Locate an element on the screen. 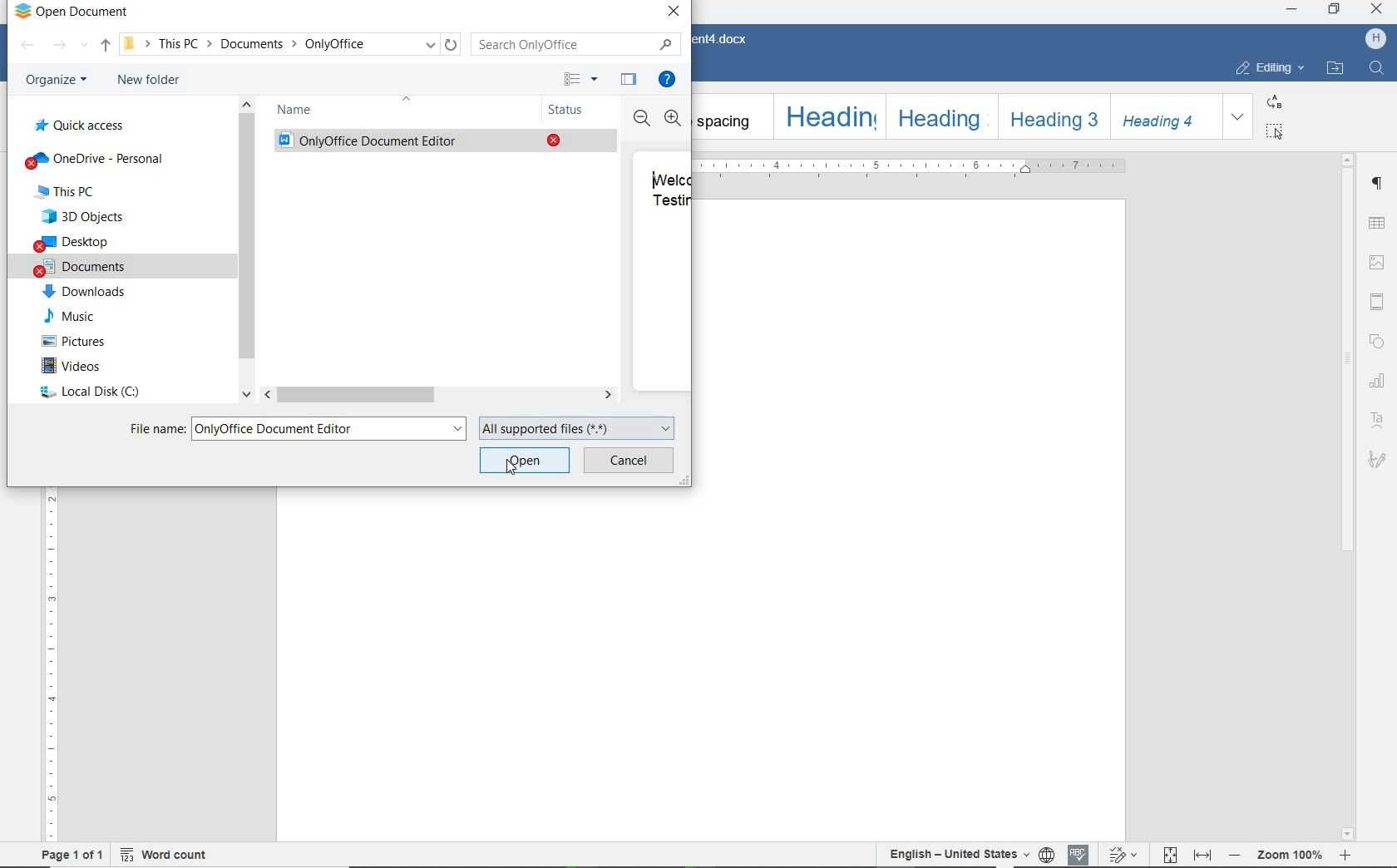 Image resolution: width=1397 pixels, height=868 pixels. all supported files is located at coordinates (582, 429).